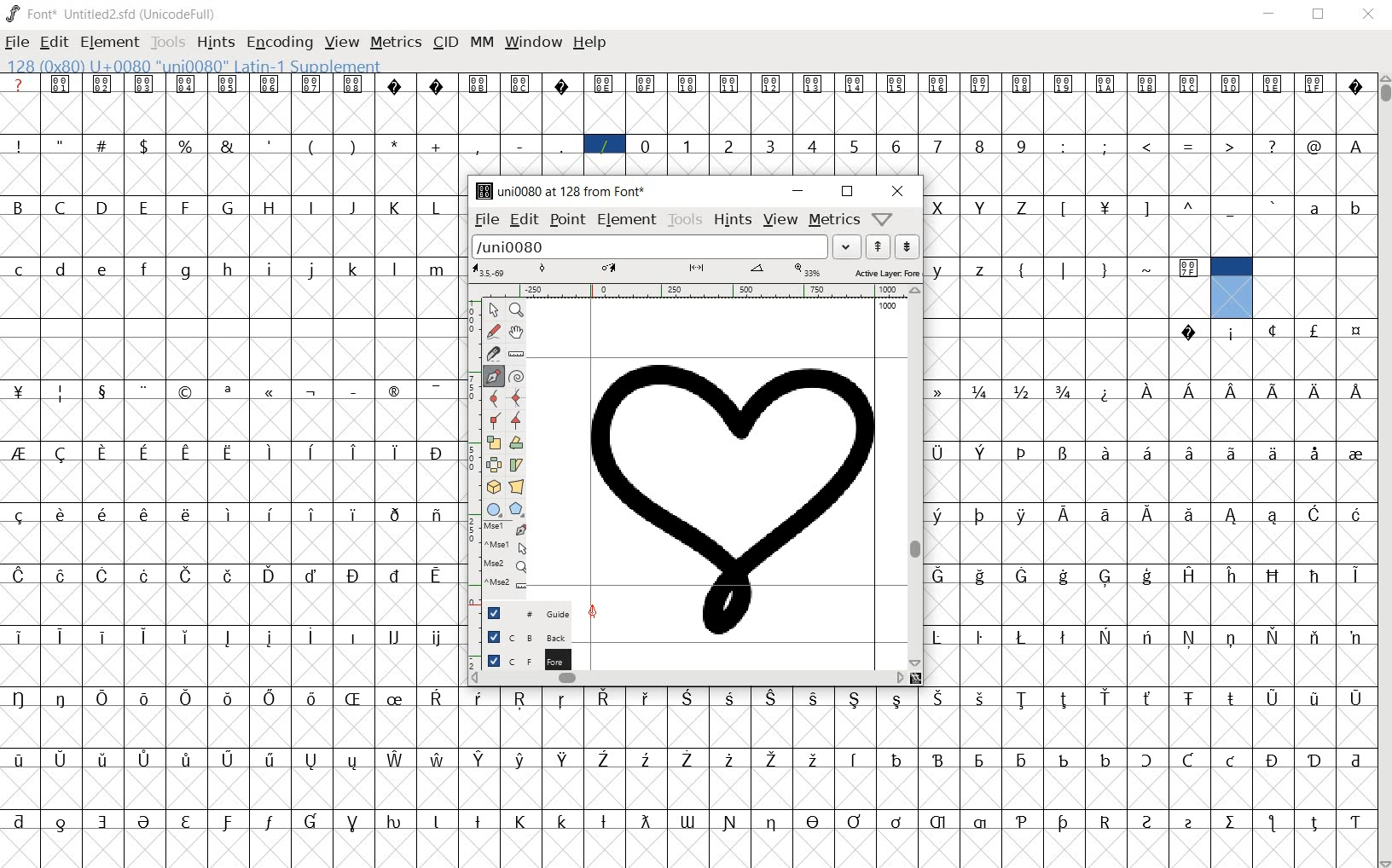 This screenshot has width=1392, height=868. I want to click on glyph, so click(1106, 452).